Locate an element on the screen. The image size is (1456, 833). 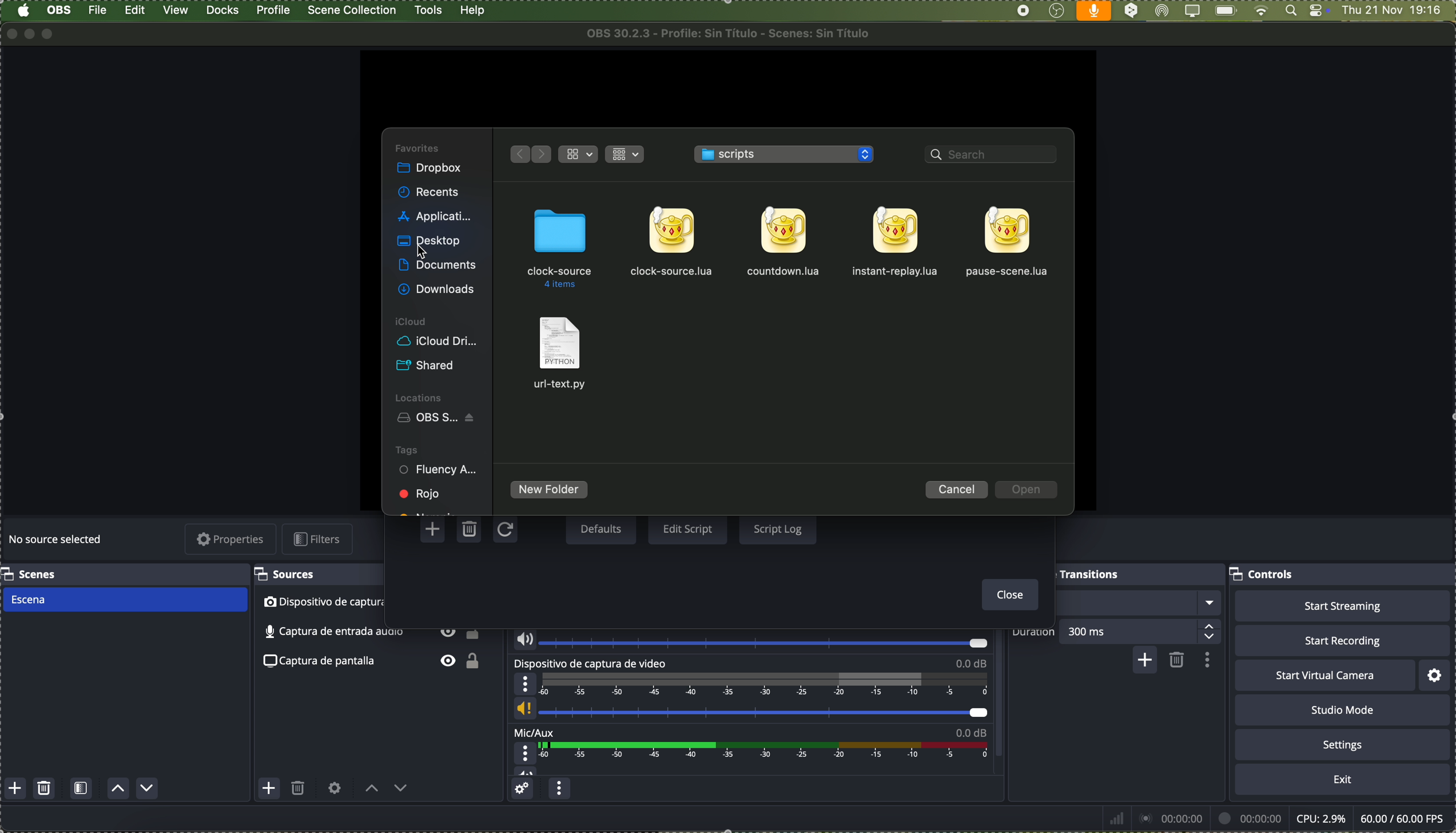
dropbox is located at coordinates (431, 169).